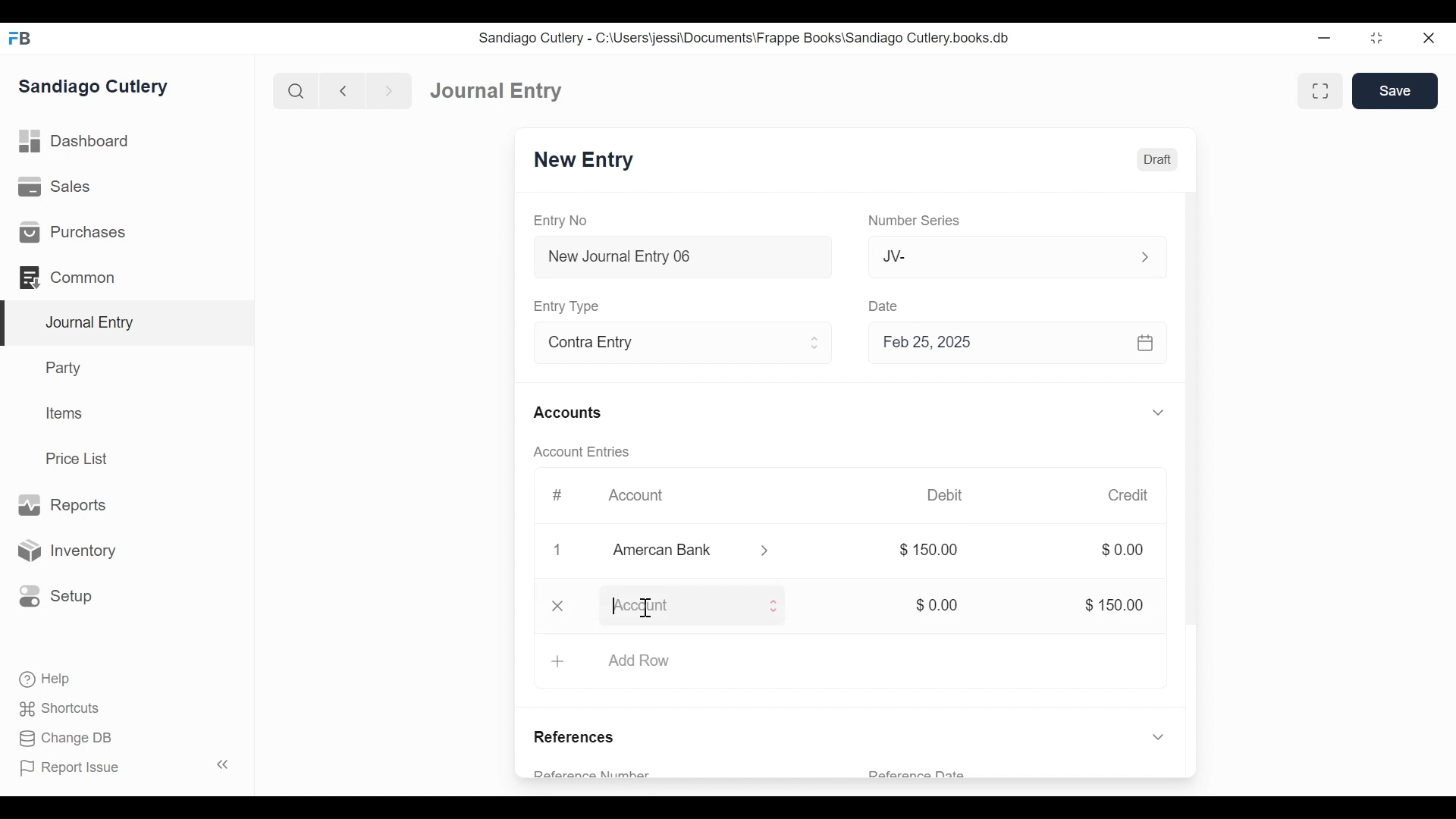 The image size is (1456, 819). Describe the element at coordinates (815, 343) in the screenshot. I see `Expand` at that location.